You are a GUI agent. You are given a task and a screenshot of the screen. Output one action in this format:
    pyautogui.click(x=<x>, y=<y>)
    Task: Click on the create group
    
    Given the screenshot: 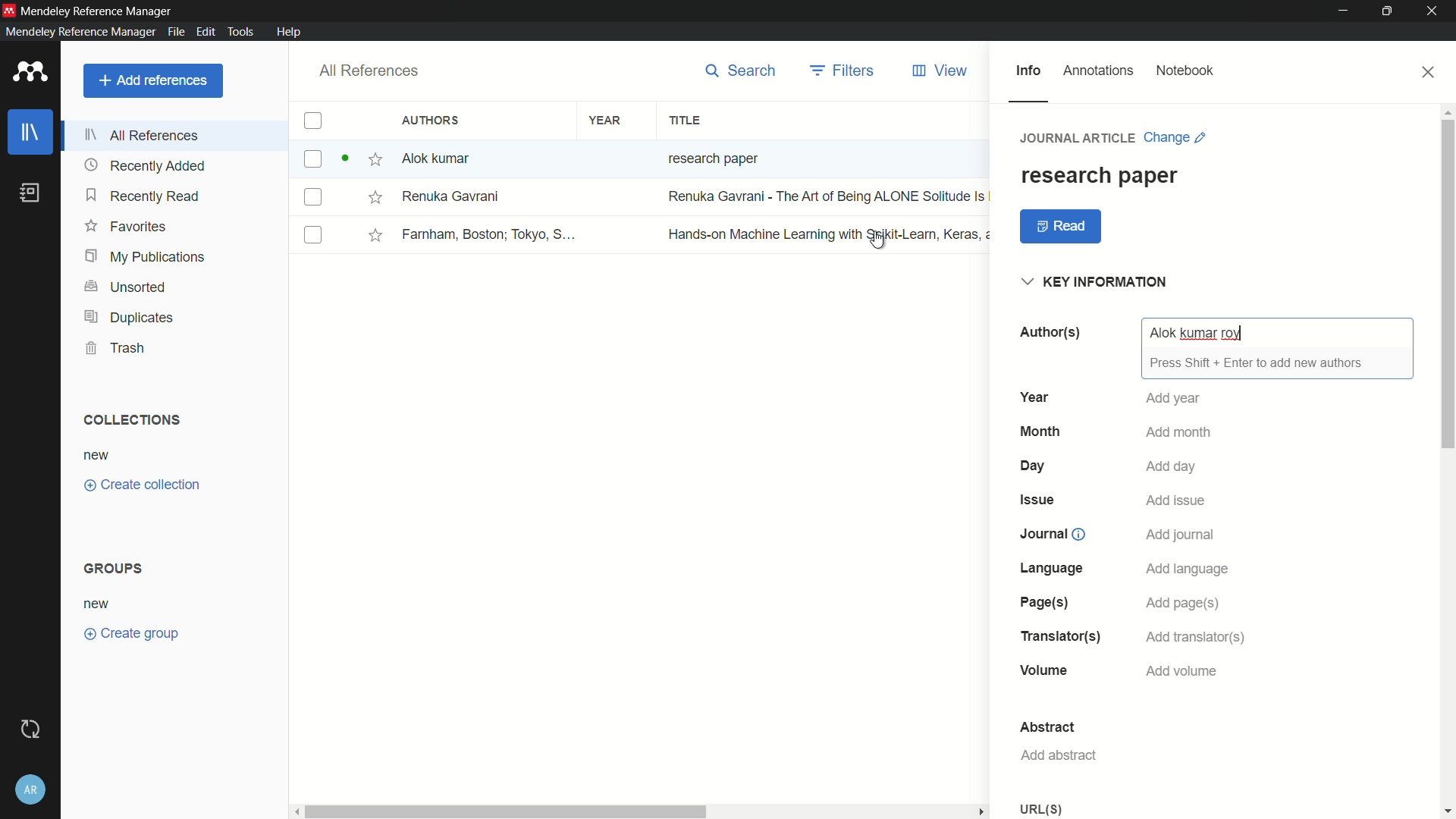 What is the action you would take?
    pyautogui.click(x=130, y=632)
    